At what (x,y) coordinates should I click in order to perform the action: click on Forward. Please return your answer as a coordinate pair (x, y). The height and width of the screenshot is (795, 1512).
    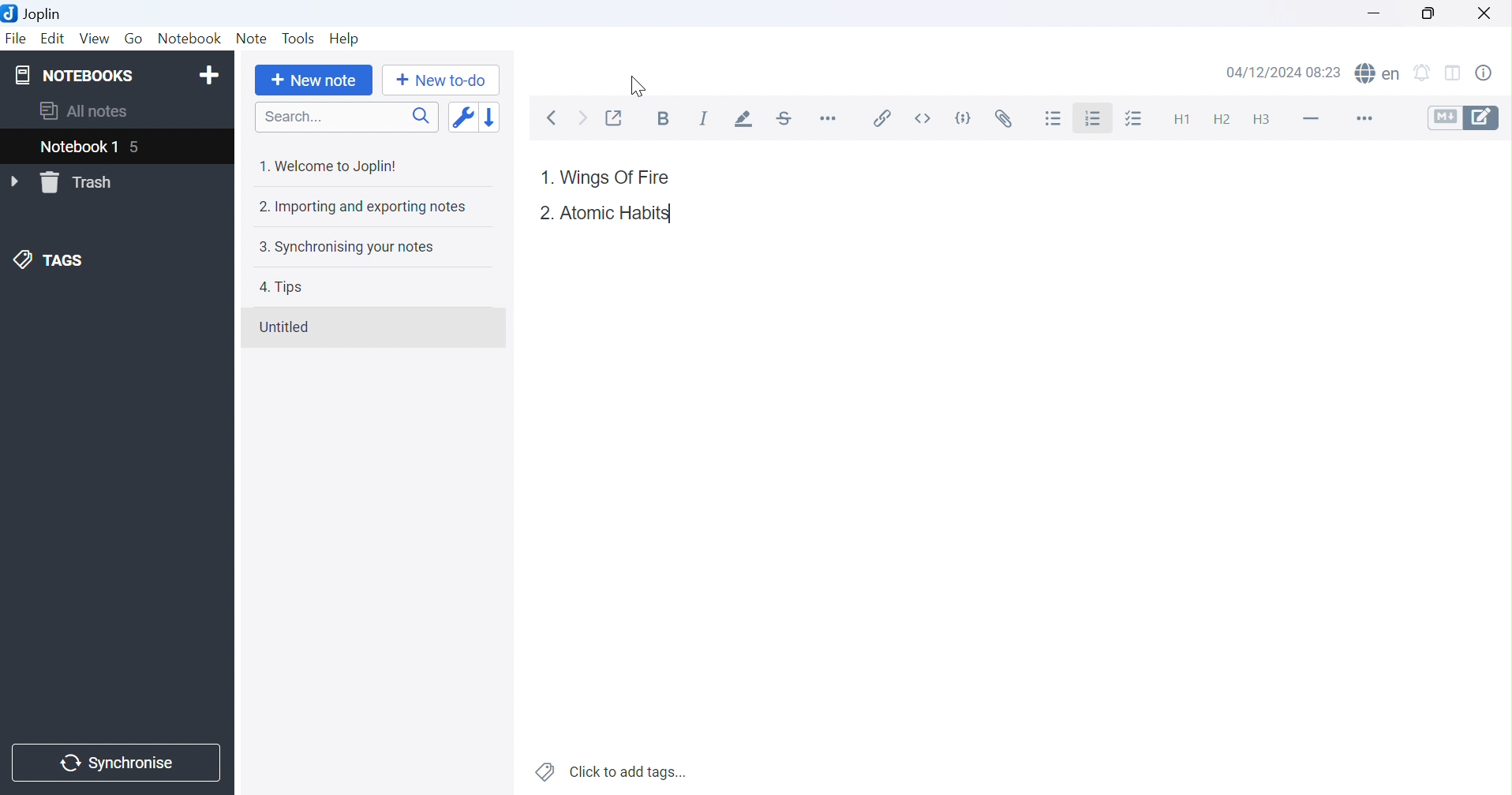
    Looking at the image, I should click on (582, 118).